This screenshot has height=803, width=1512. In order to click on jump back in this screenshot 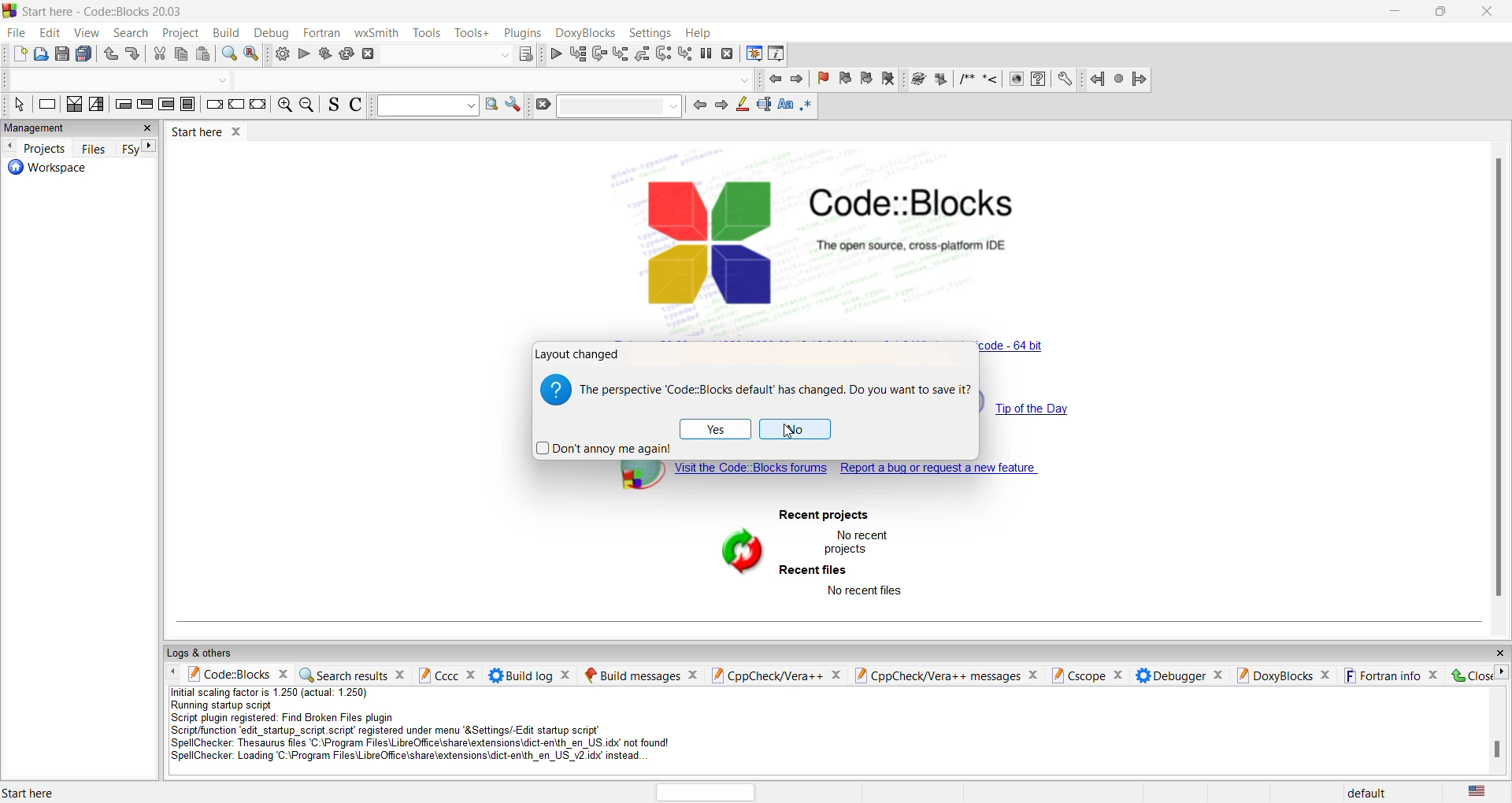, I will do `click(1093, 80)`.